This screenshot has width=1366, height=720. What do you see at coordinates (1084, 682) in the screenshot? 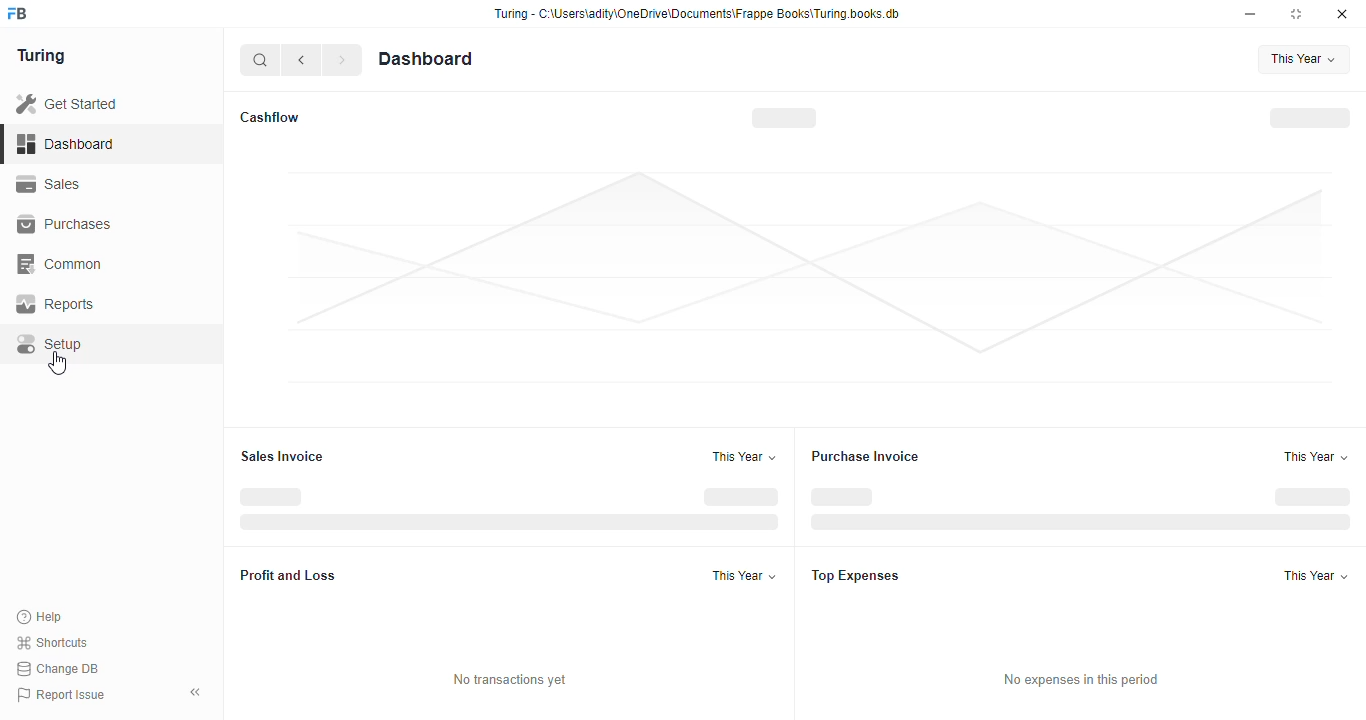
I see `No expenses in this period` at bounding box center [1084, 682].